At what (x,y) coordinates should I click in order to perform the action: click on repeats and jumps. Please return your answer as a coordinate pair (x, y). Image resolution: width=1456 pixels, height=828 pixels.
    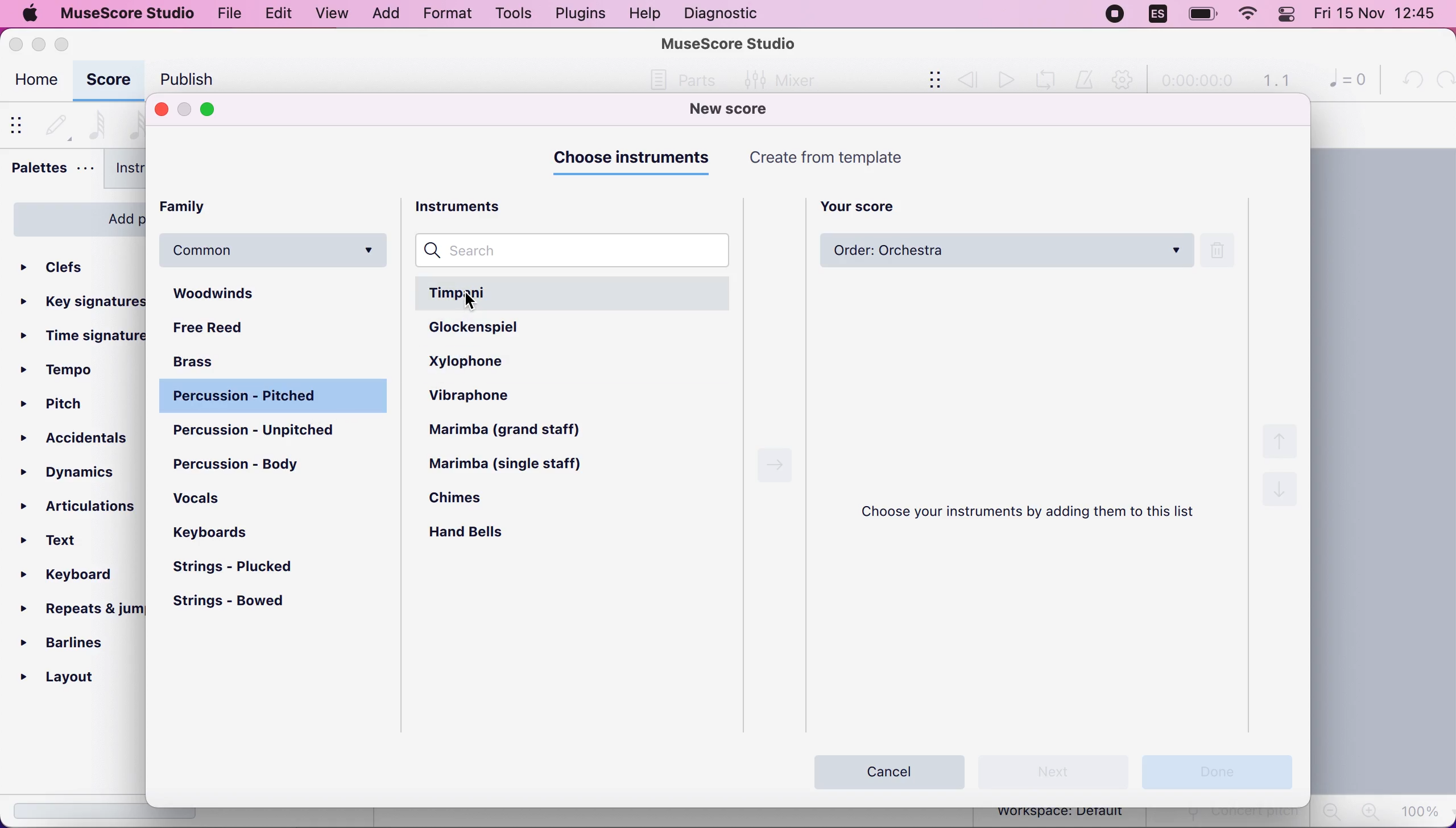
    Looking at the image, I should click on (79, 608).